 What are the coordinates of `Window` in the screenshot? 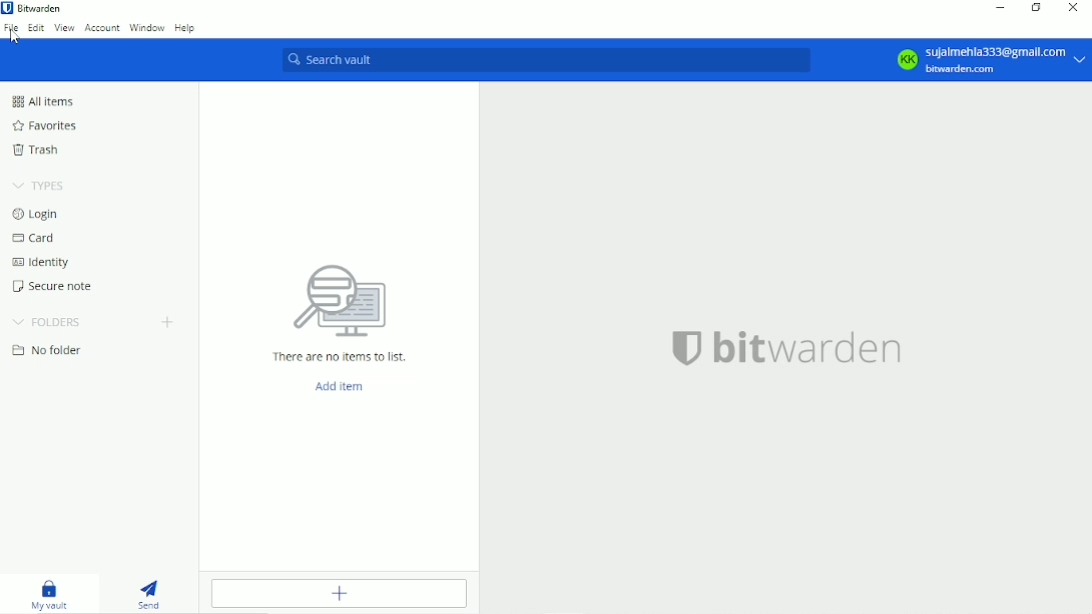 It's located at (147, 27).